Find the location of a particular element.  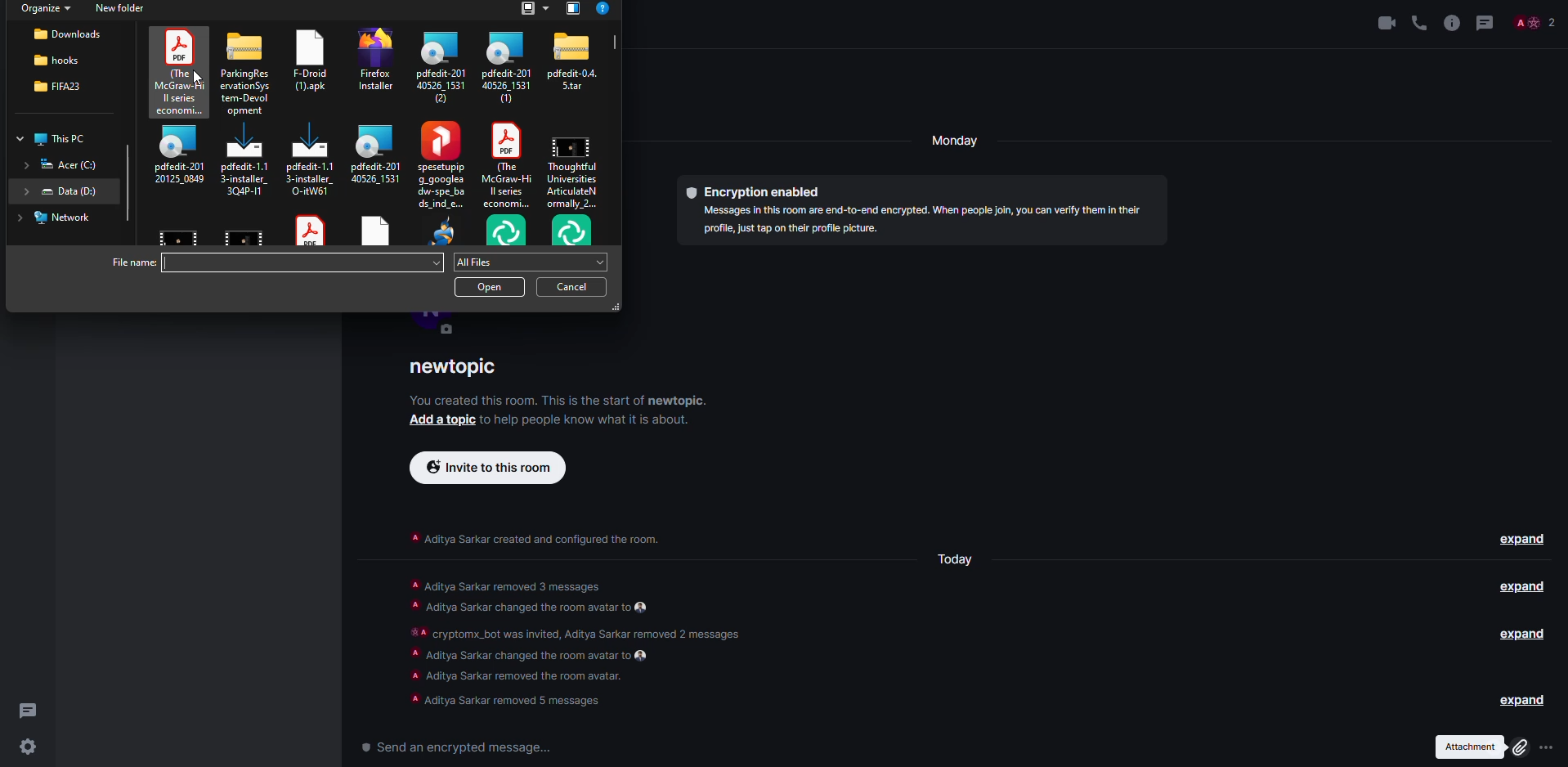

send a encrypted message is located at coordinates (455, 747).